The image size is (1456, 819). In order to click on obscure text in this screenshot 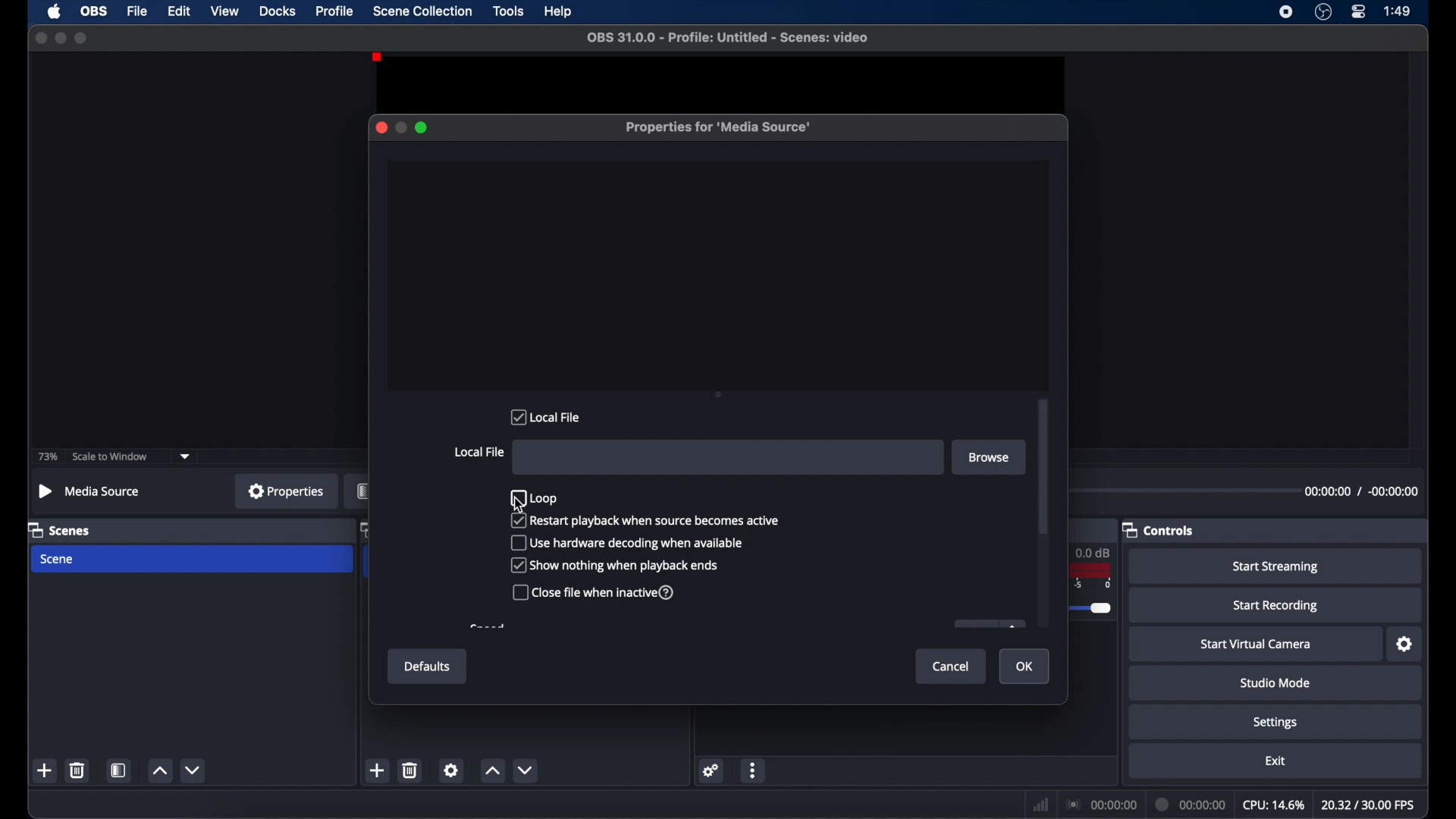, I will do `click(488, 626)`.